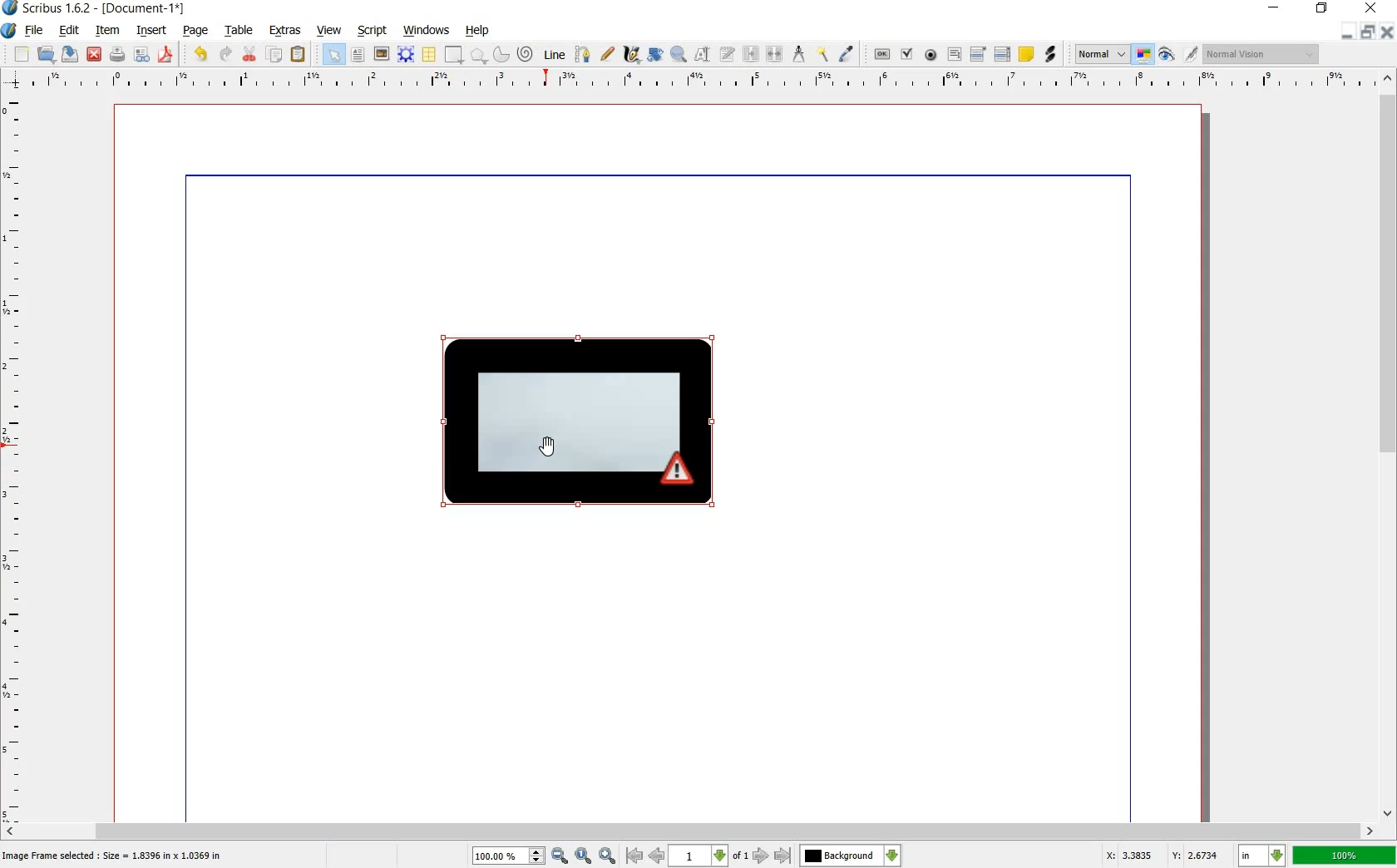 This screenshot has height=868, width=1397. Describe the element at coordinates (380, 53) in the screenshot. I see `image` at that location.